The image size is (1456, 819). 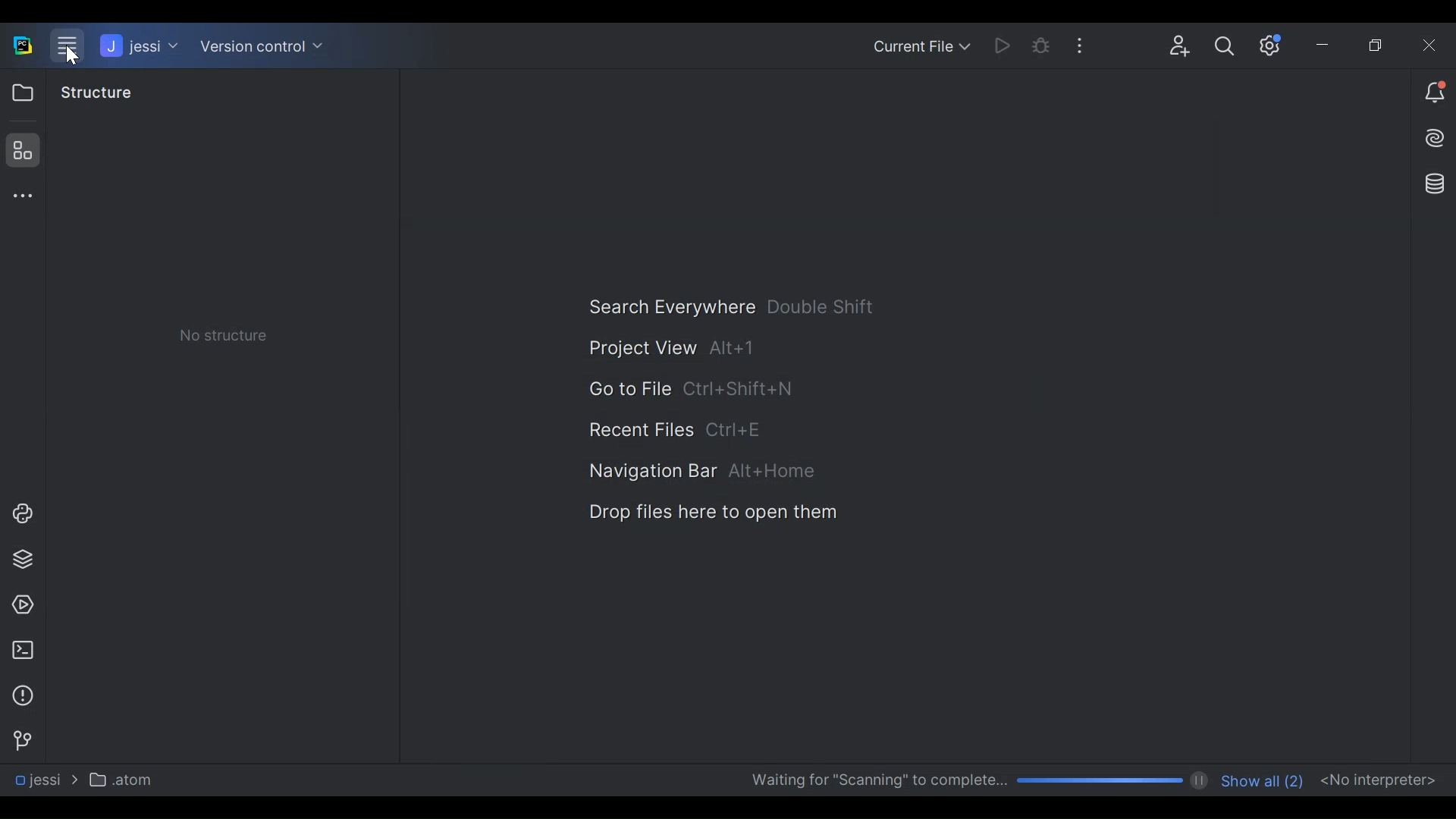 What do you see at coordinates (1435, 93) in the screenshot?
I see `Notiication` at bounding box center [1435, 93].